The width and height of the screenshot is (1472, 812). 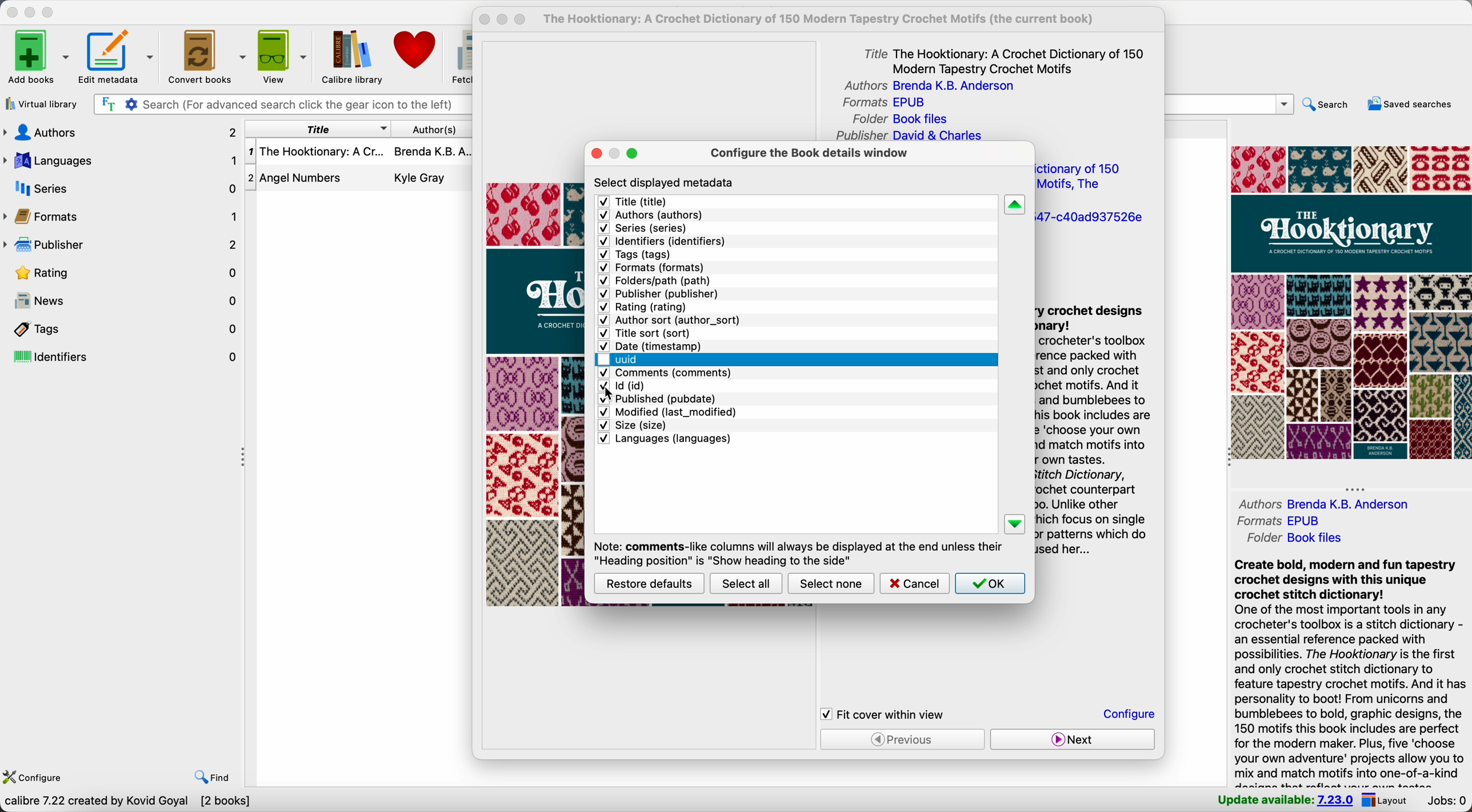 I want to click on configure the book details window, so click(x=808, y=157).